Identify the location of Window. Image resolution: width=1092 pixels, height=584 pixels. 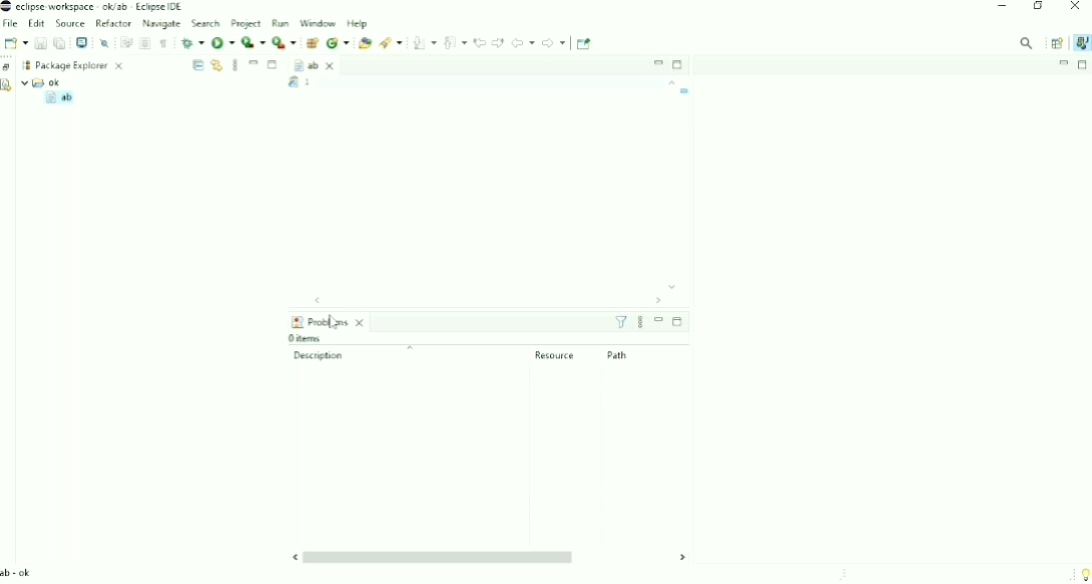
(317, 23).